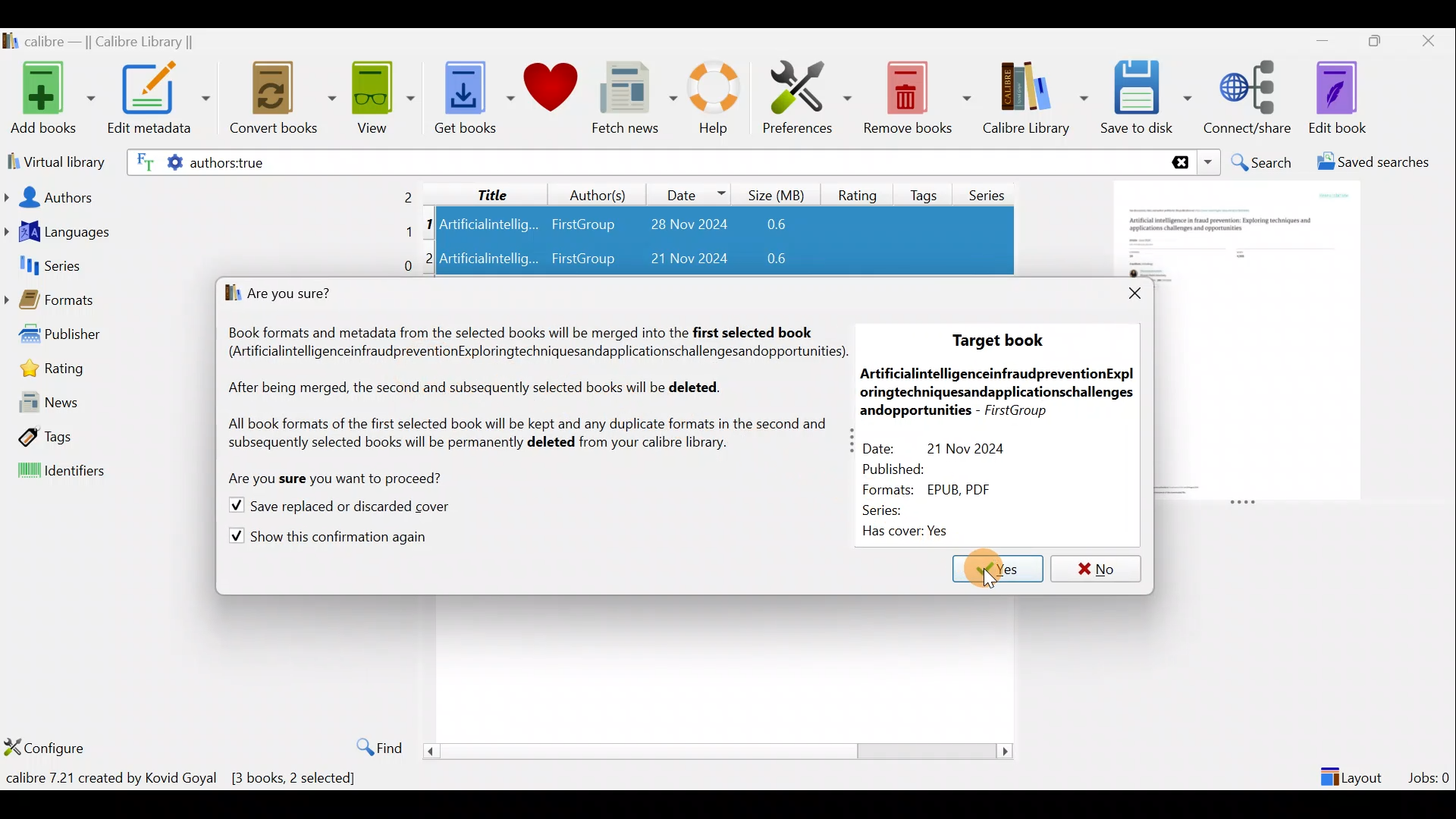  Describe the element at coordinates (918, 97) in the screenshot. I see `Remove books` at that location.